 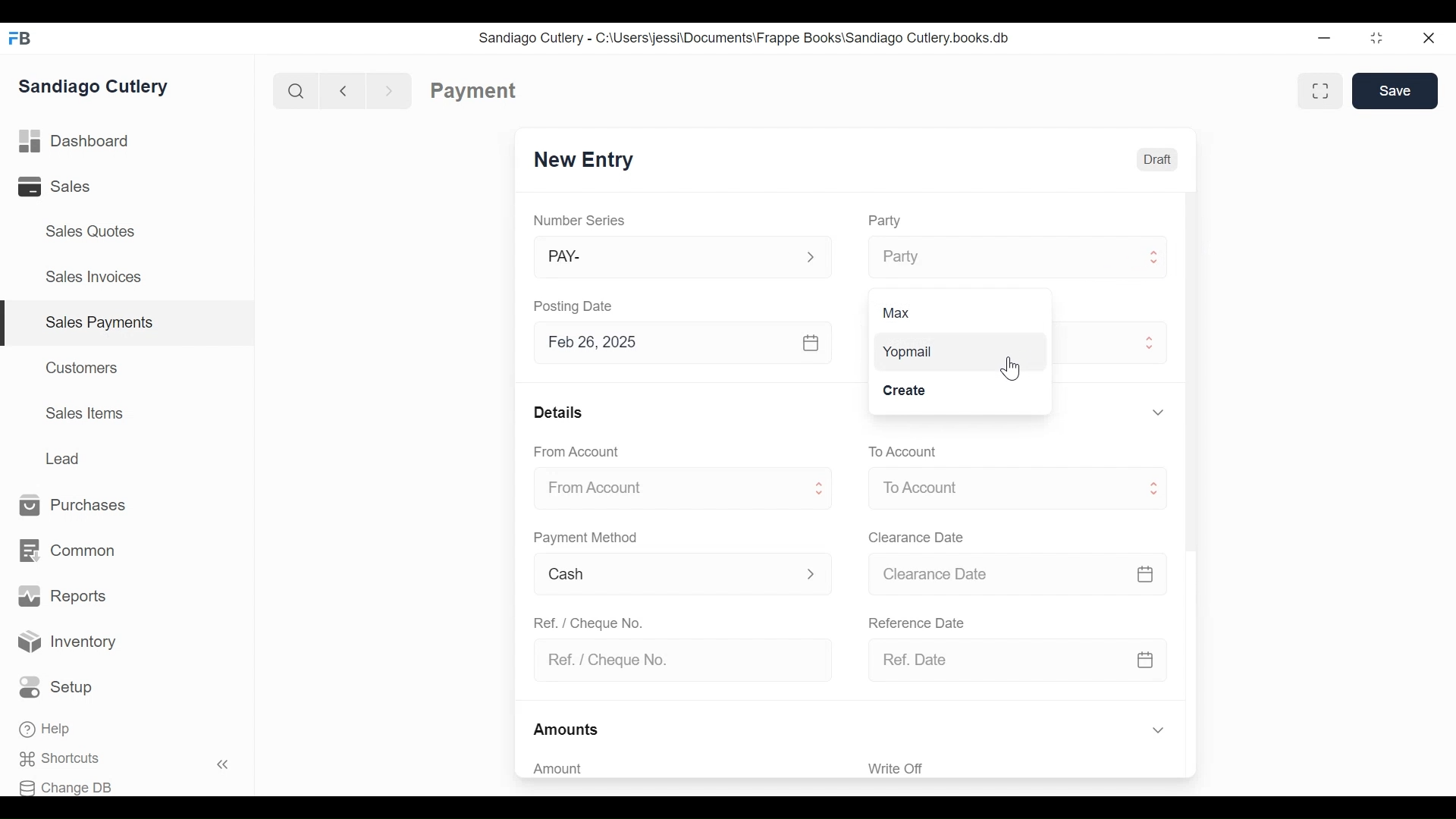 I want to click on Sales Quotes, so click(x=89, y=231).